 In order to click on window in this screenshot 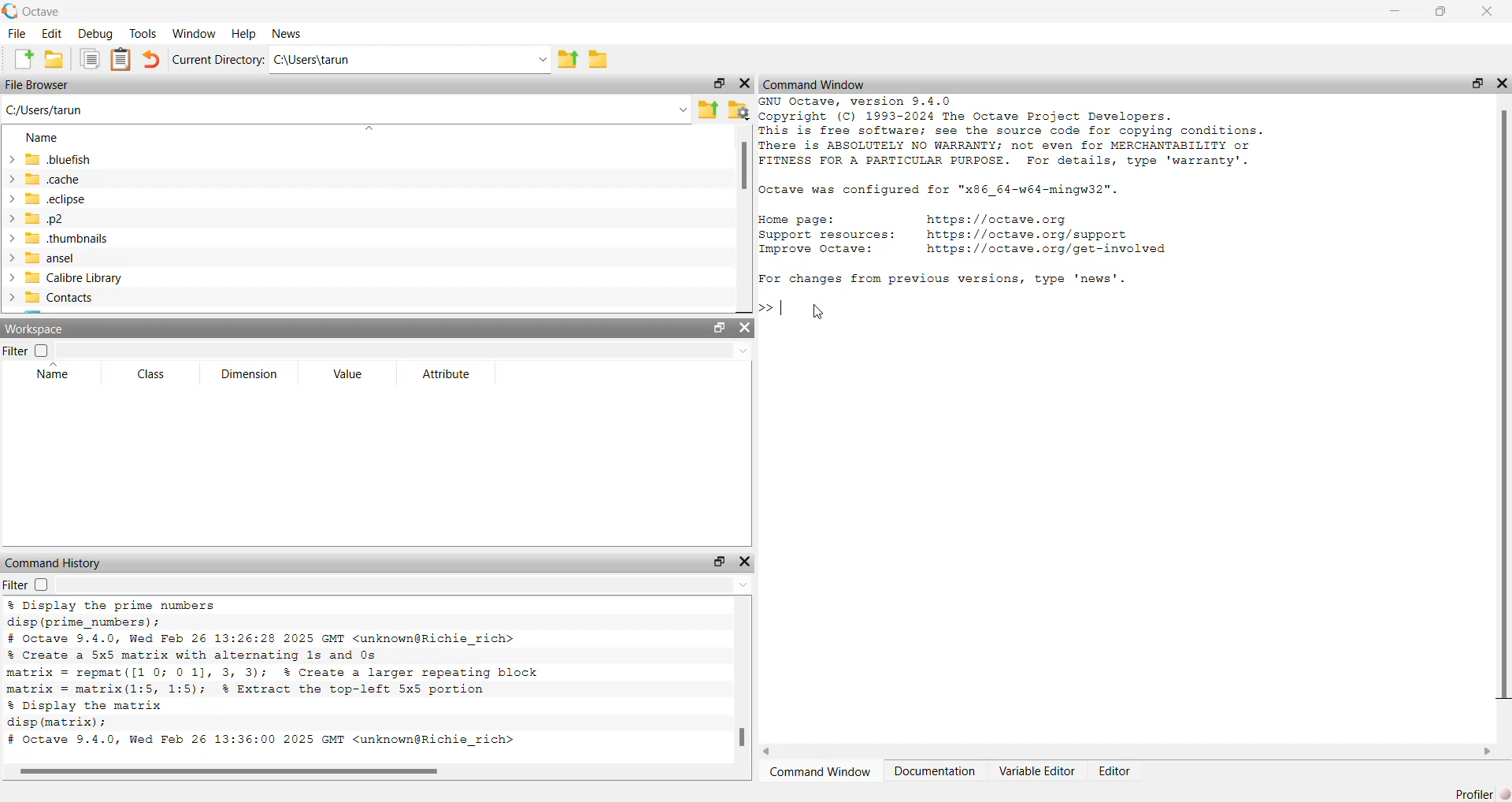, I will do `click(194, 32)`.